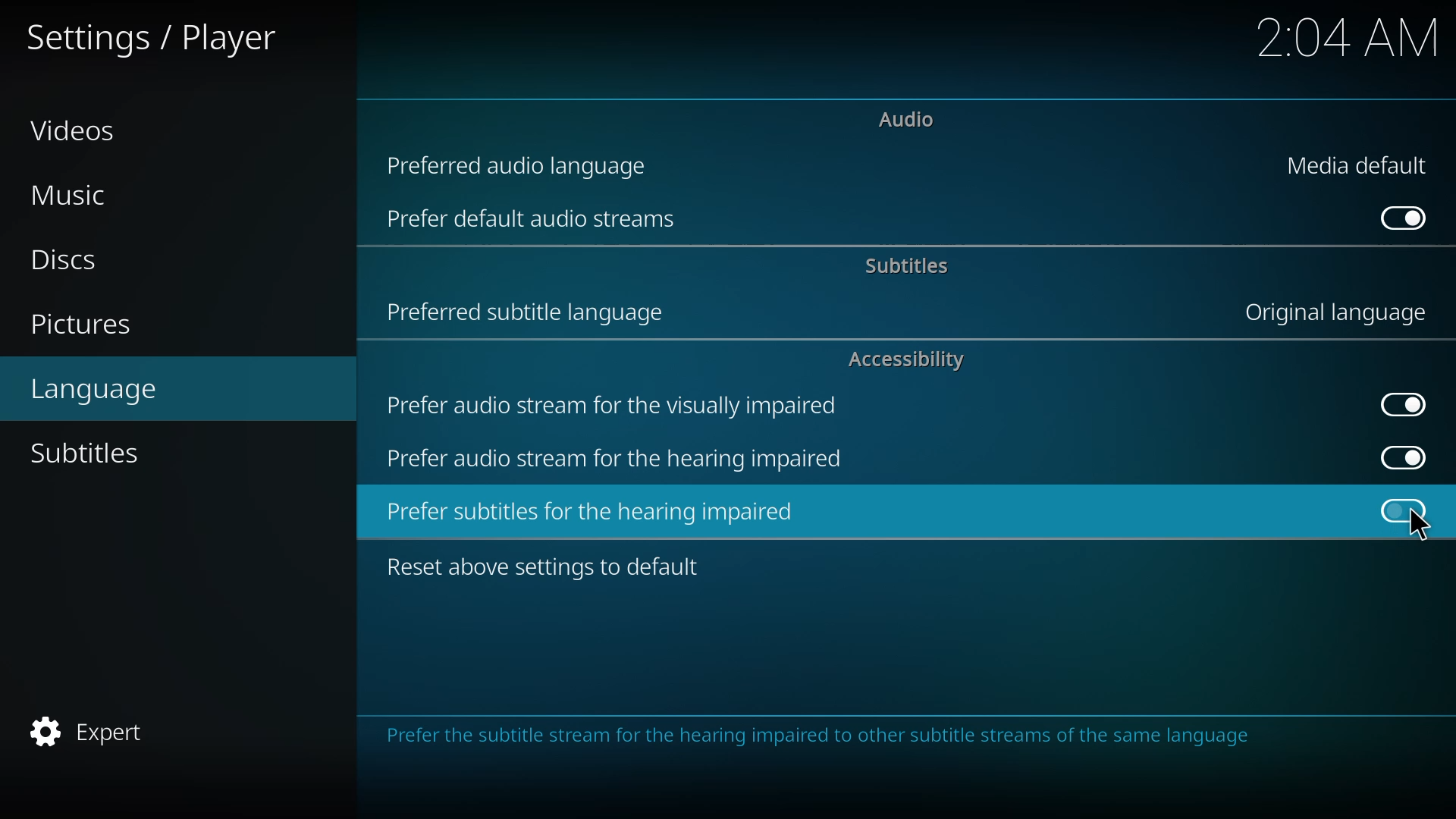 The width and height of the screenshot is (1456, 819). What do you see at coordinates (1417, 526) in the screenshot?
I see `cursor` at bounding box center [1417, 526].